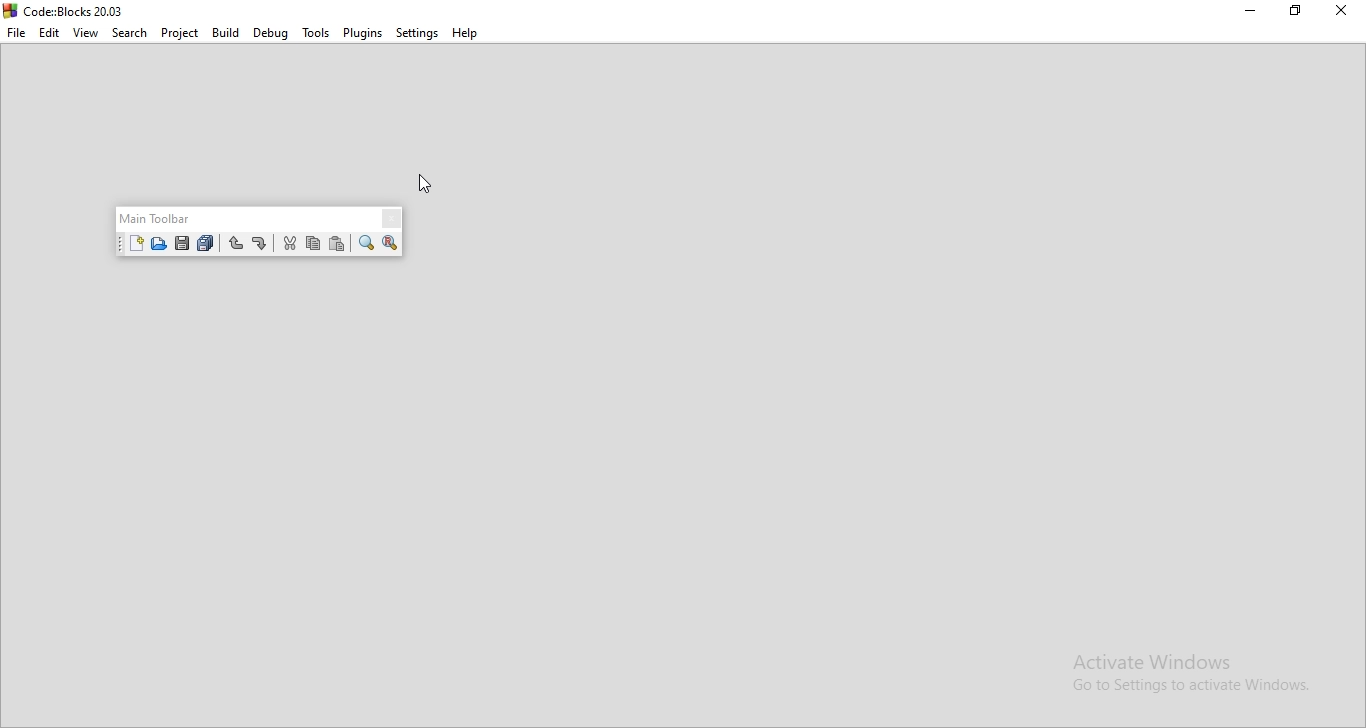 The width and height of the screenshot is (1366, 728). Describe the element at coordinates (466, 32) in the screenshot. I see `Help` at that location.